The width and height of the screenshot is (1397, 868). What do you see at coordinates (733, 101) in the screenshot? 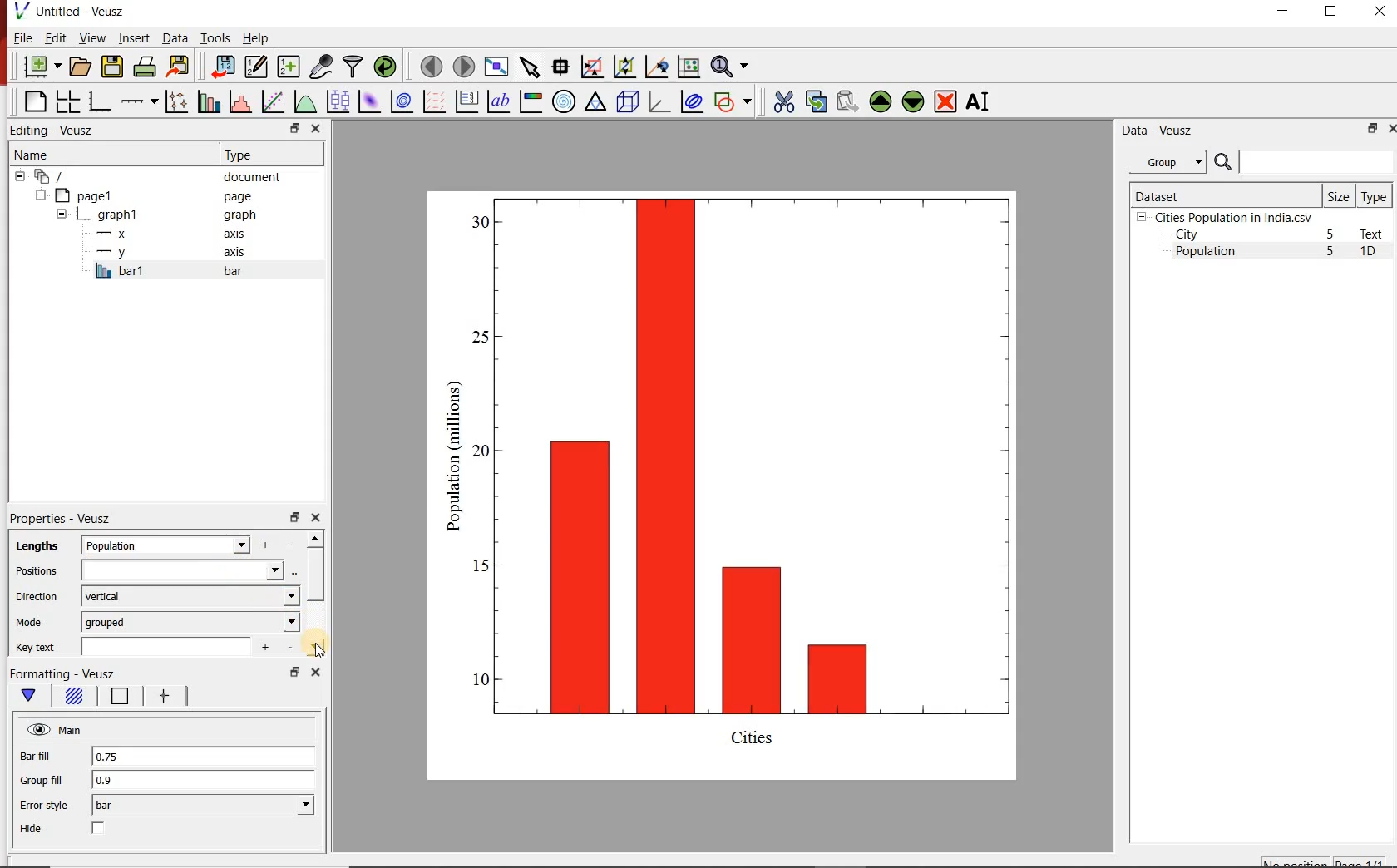
I see `add a shape to the plot` at bounding box center [733, 101].